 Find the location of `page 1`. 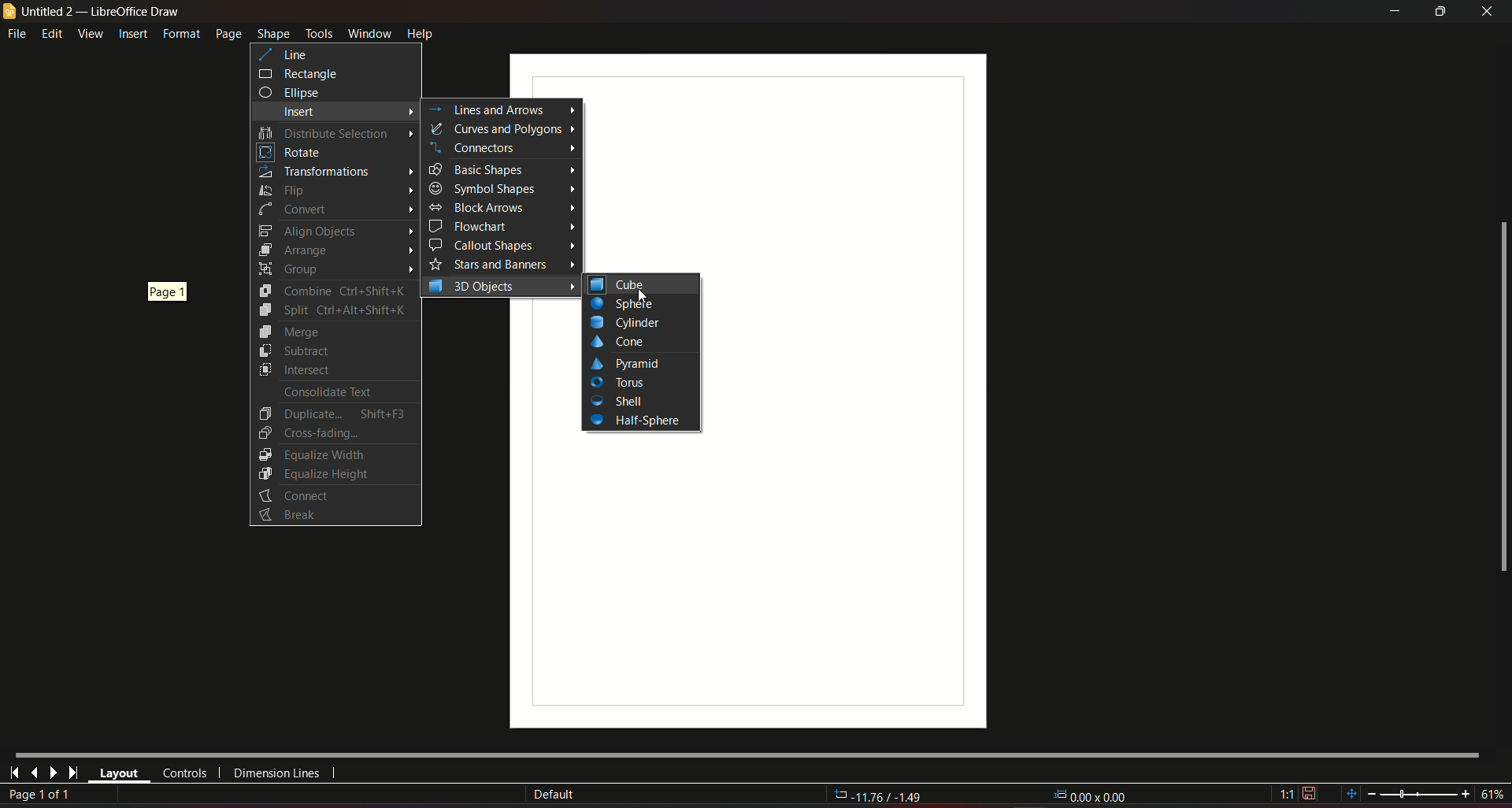

page 1 is located at coordinates (165, 293).